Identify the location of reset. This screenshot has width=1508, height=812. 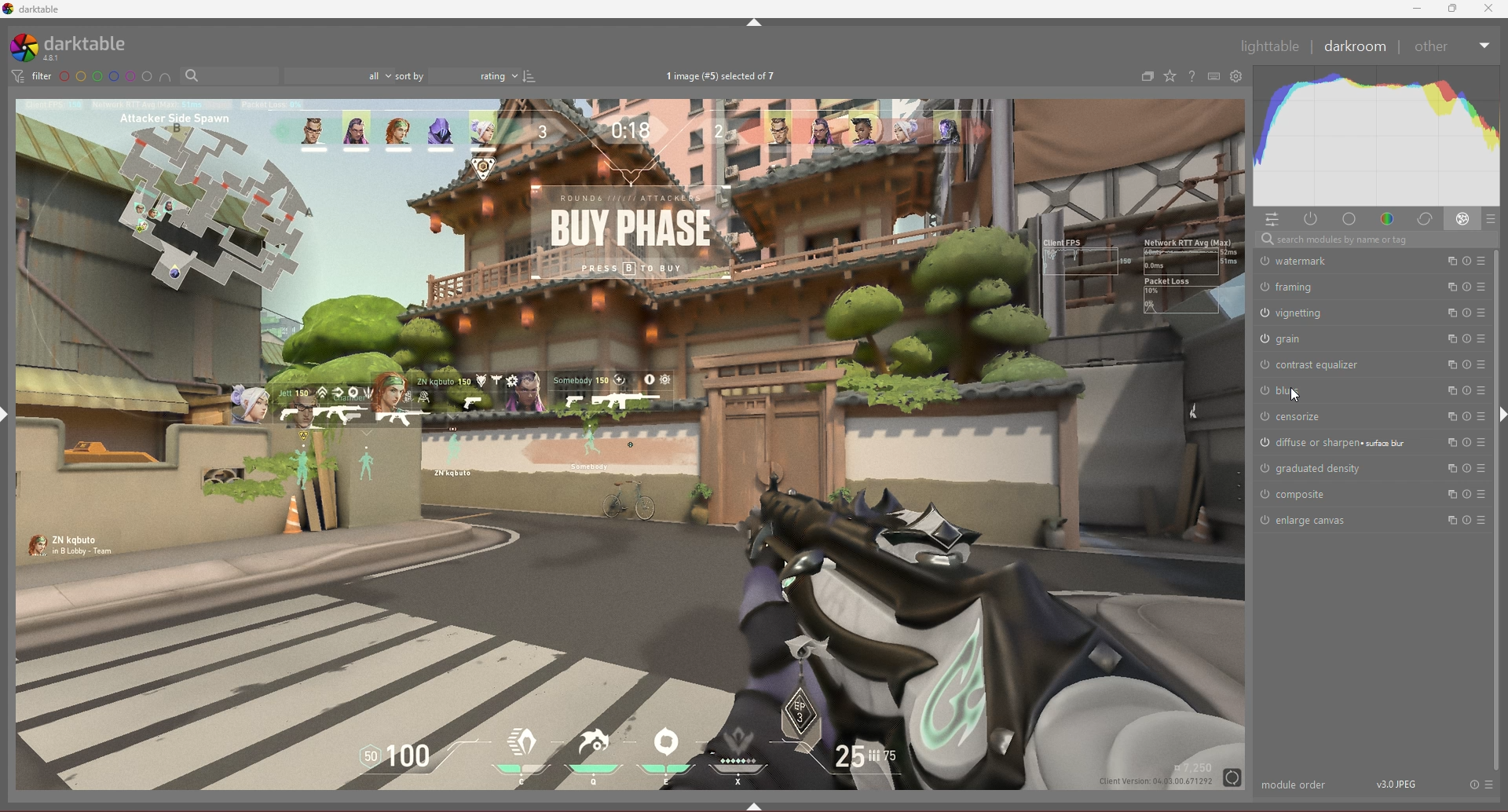
(1467, 338).